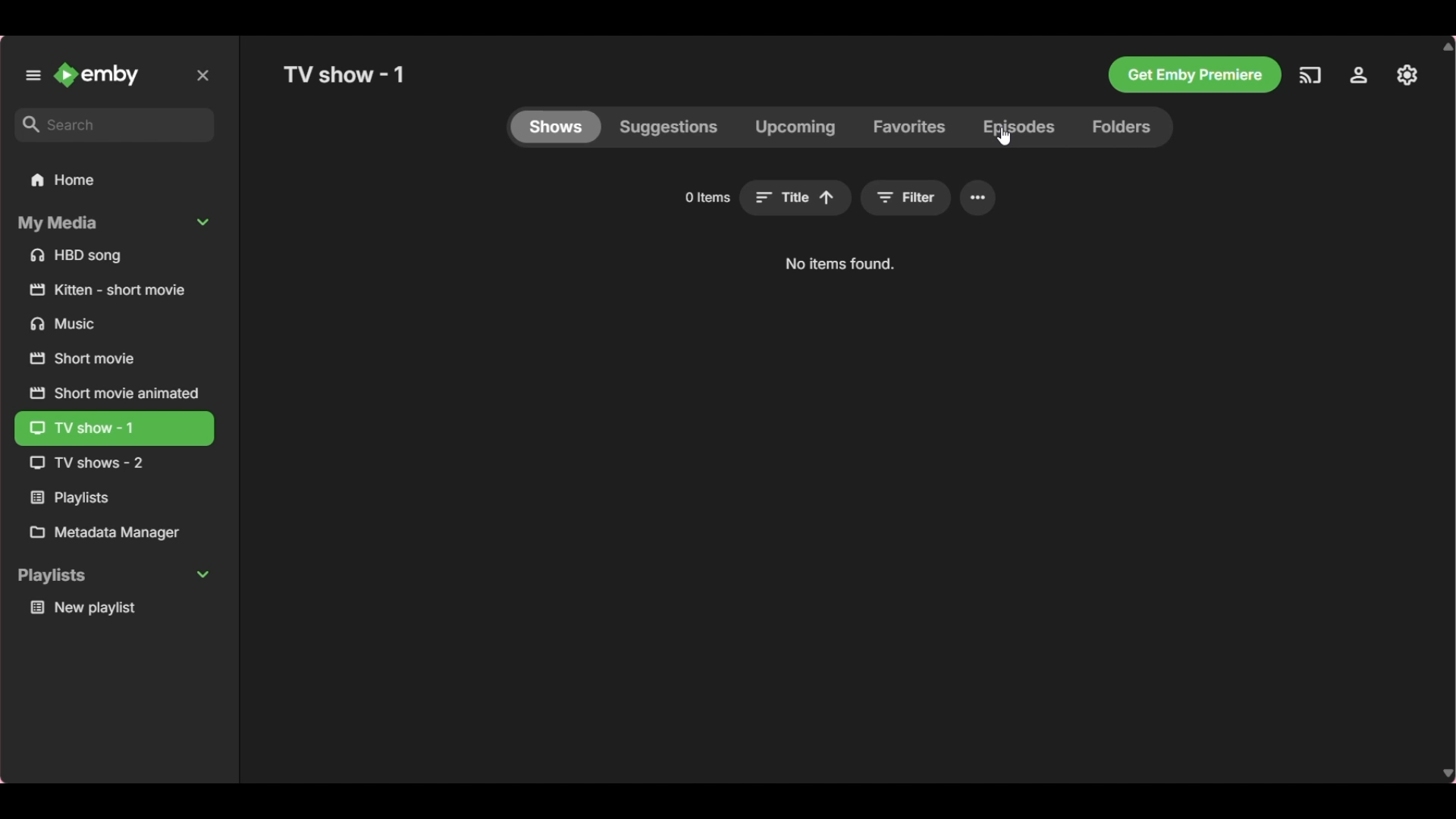 The height and width of the screenshot is (819, 1456). I want to click on Go to home, so click(98, 74).